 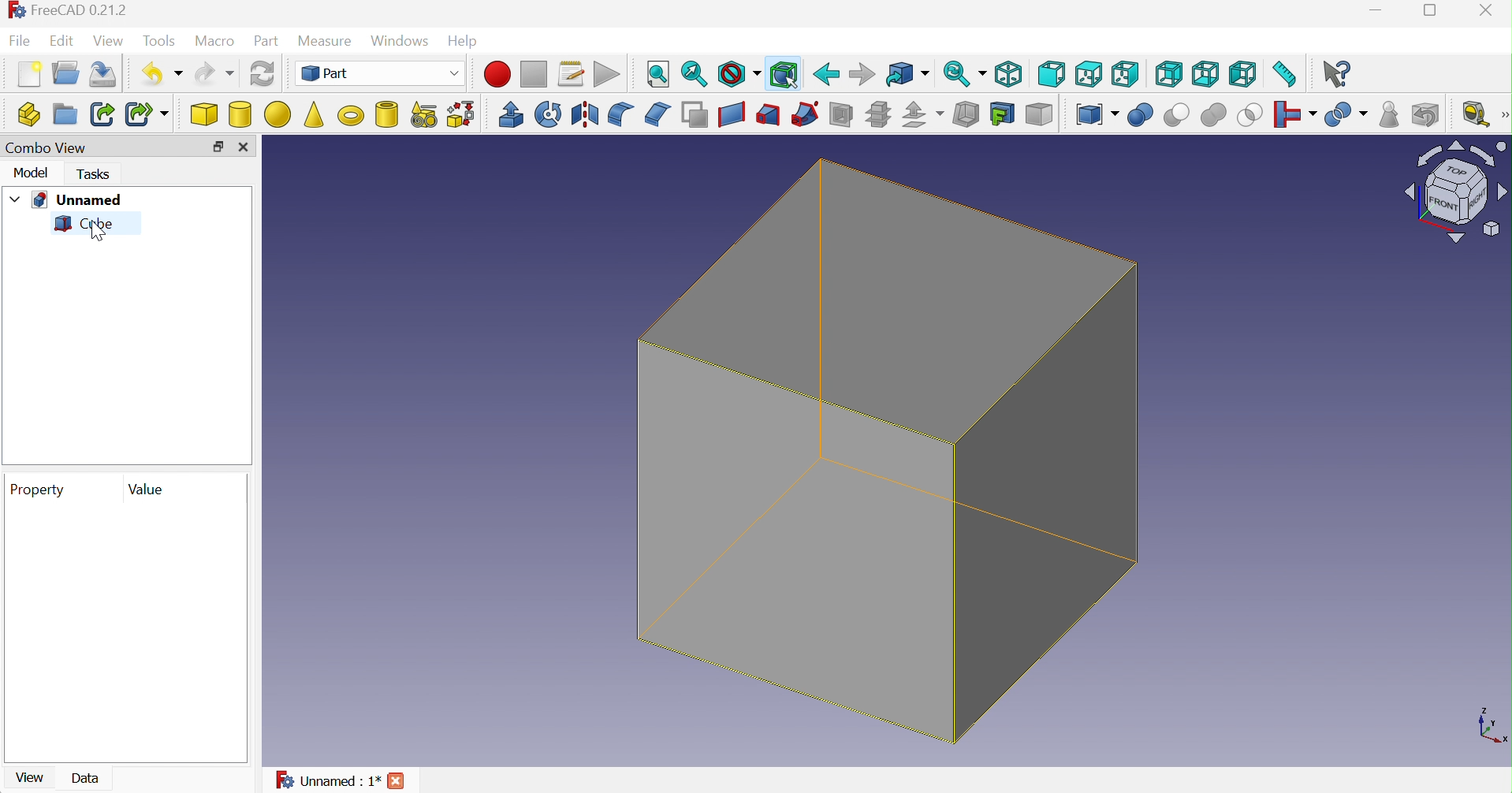 What do you see at coordinates (102, 115) in the screenshot?
I see `Make link` at bounding box center [102, 115].